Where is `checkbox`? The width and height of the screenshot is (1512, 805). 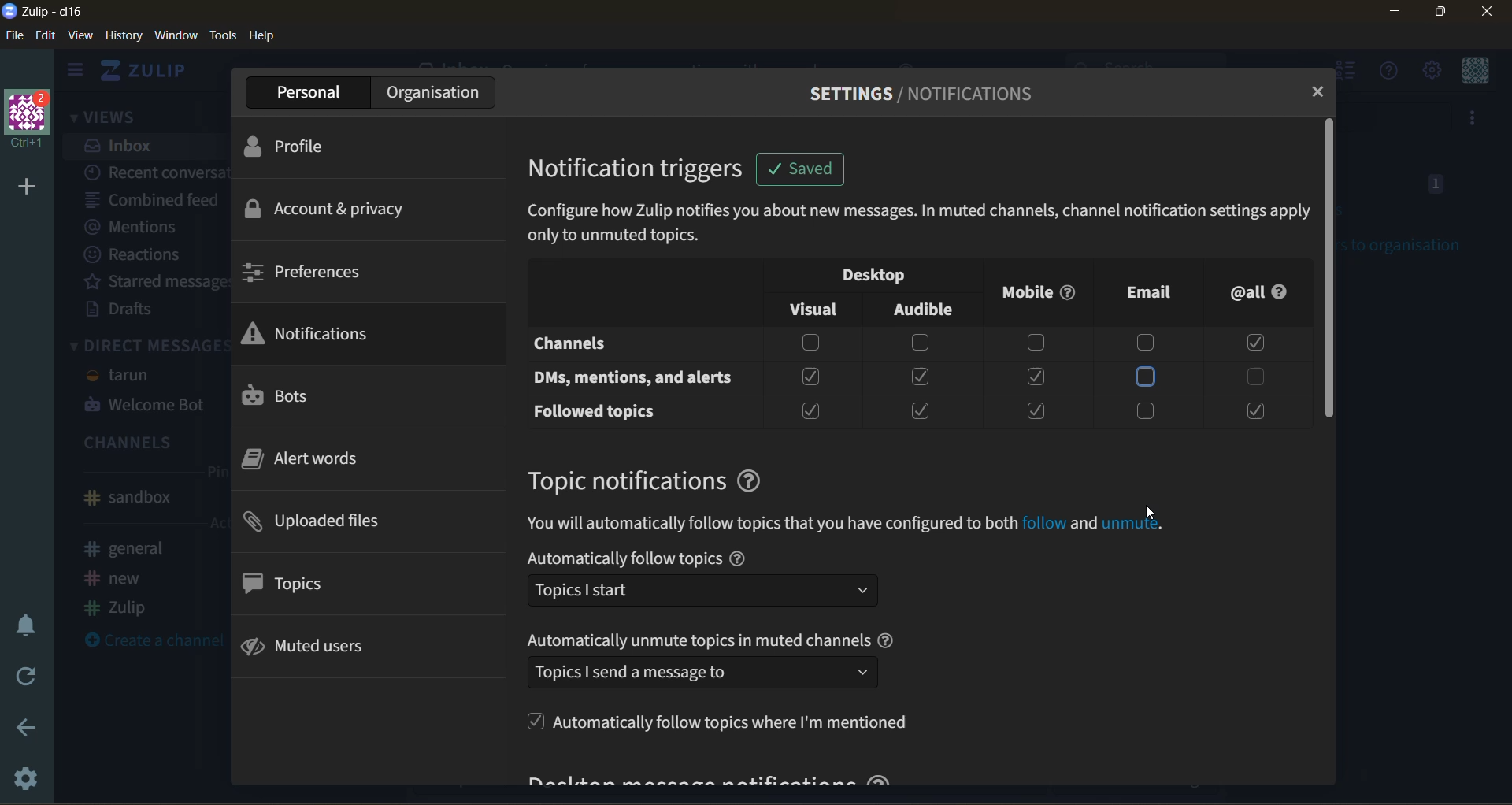 checkbox is located at coordinates (1253, 344).